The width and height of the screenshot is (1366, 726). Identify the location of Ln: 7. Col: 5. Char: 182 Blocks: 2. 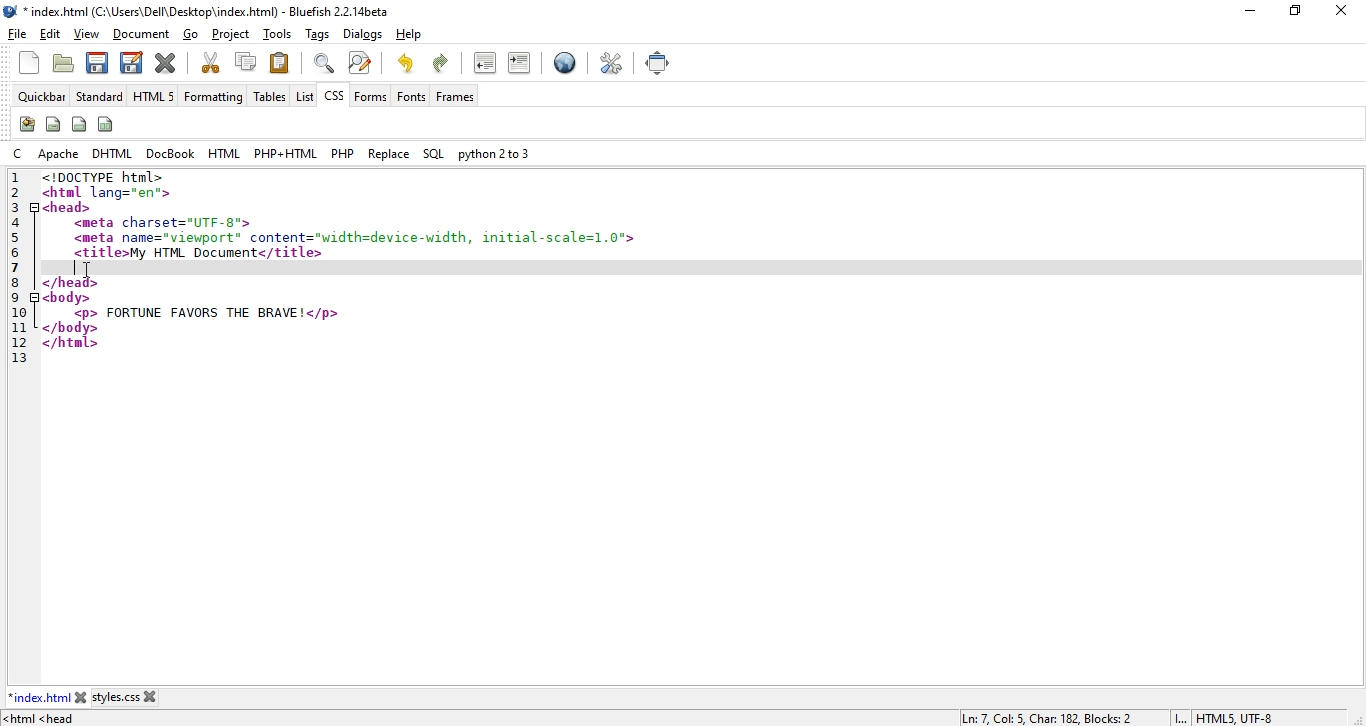
(1050, 717).